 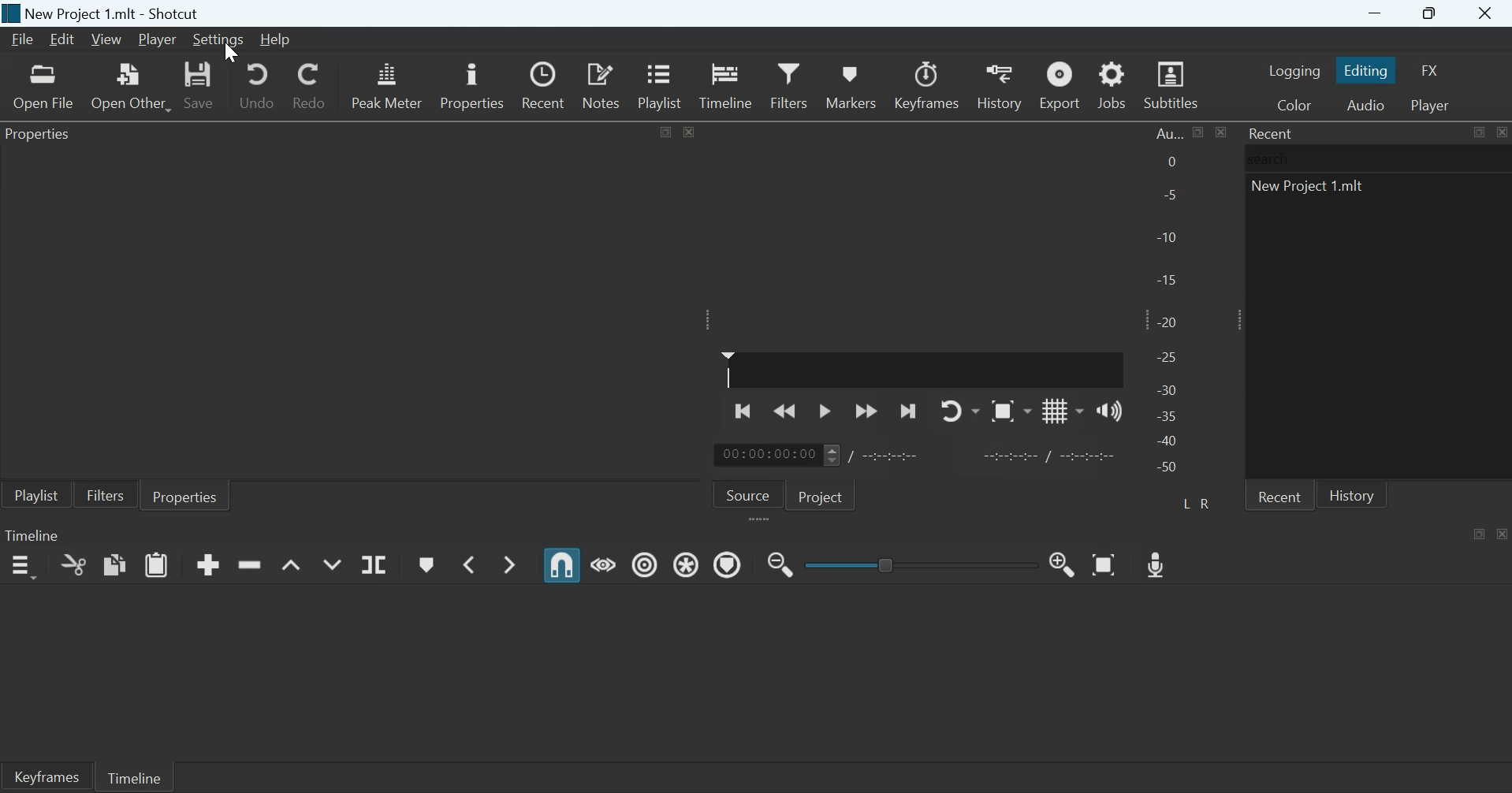 I want to click on Recent, so click(x=1279, y=495).